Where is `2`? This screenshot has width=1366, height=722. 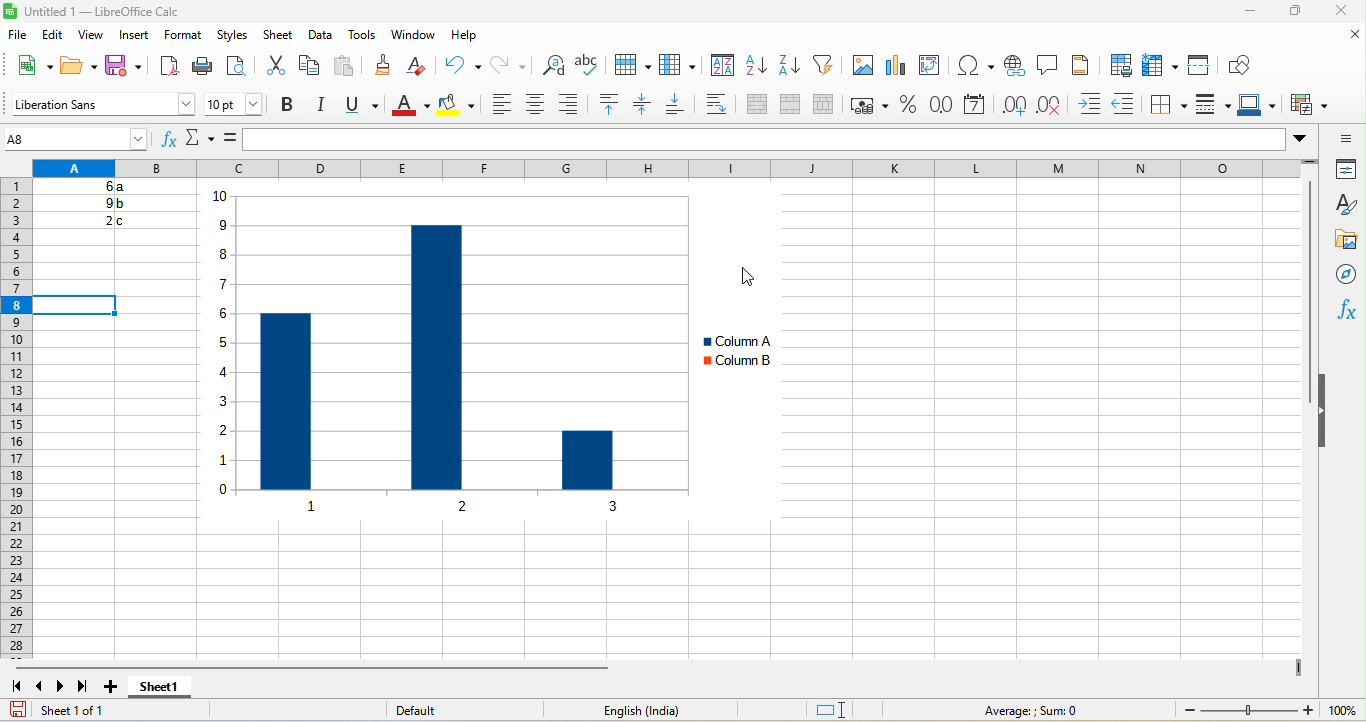 2 is located at coordinates (99, 221).